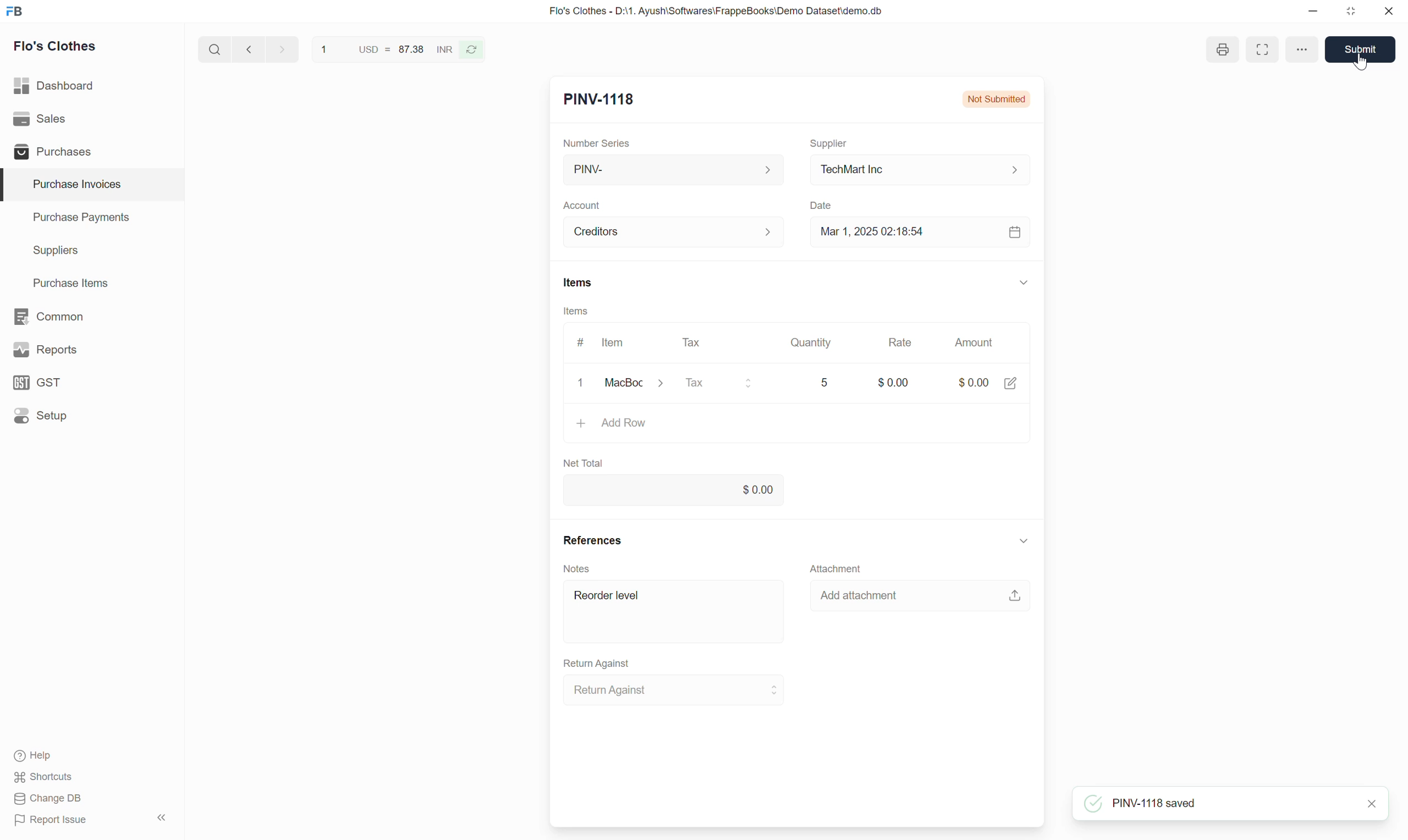 The height and width of the screenshot is (840, 1408). What do you see at coordinates (1024, 282) in the screenshot?
I see `Collapse` at bounding box center [1024, 282].